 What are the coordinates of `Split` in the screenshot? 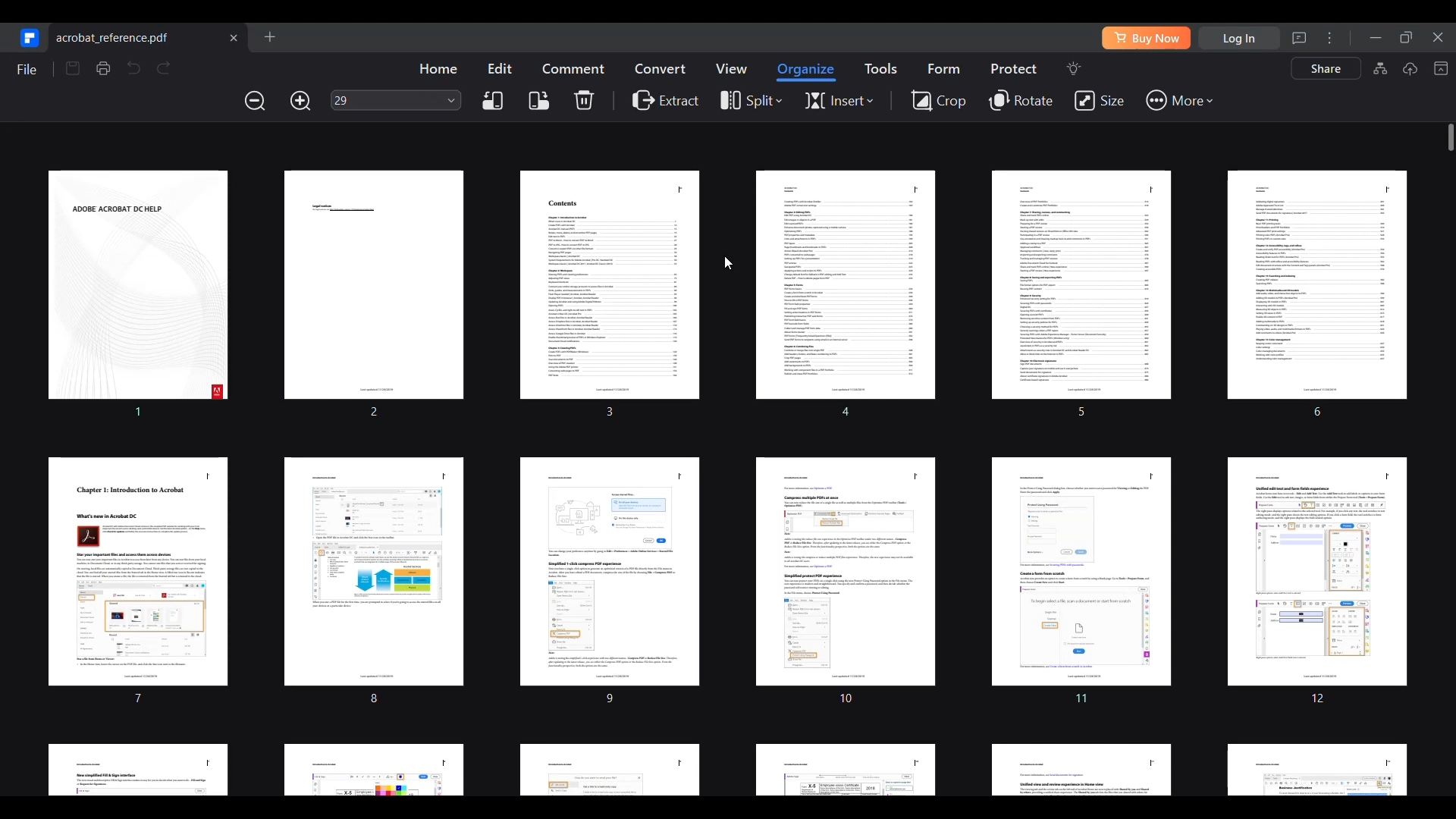 It's located at (748, 102).